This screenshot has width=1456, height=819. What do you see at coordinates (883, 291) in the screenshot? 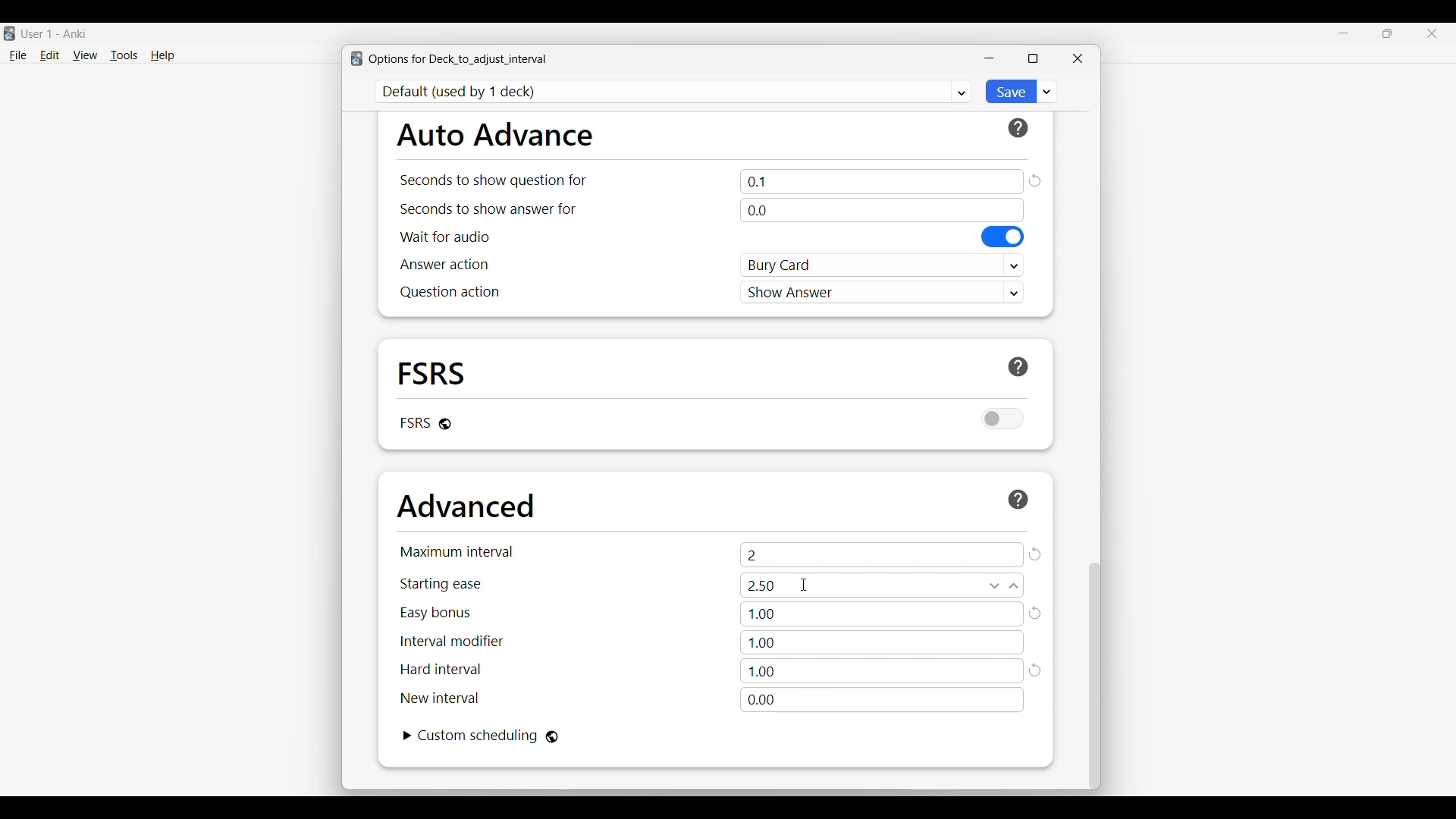
I see `Show Answer` at bounding box center [883, 291].